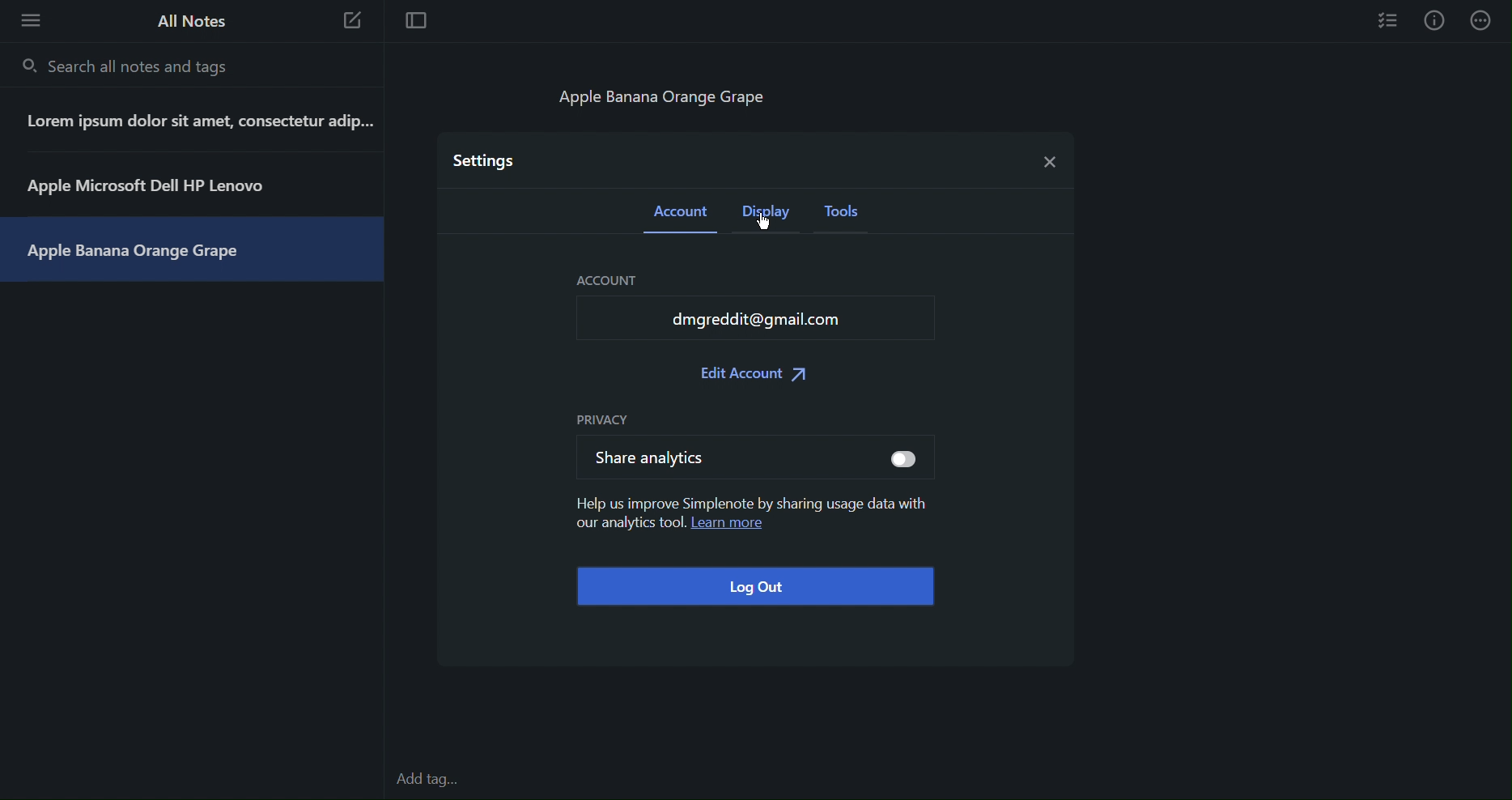  I want to click on Lorem ipsum dolor sit amet, consectetur adip..., so click(197, 121).